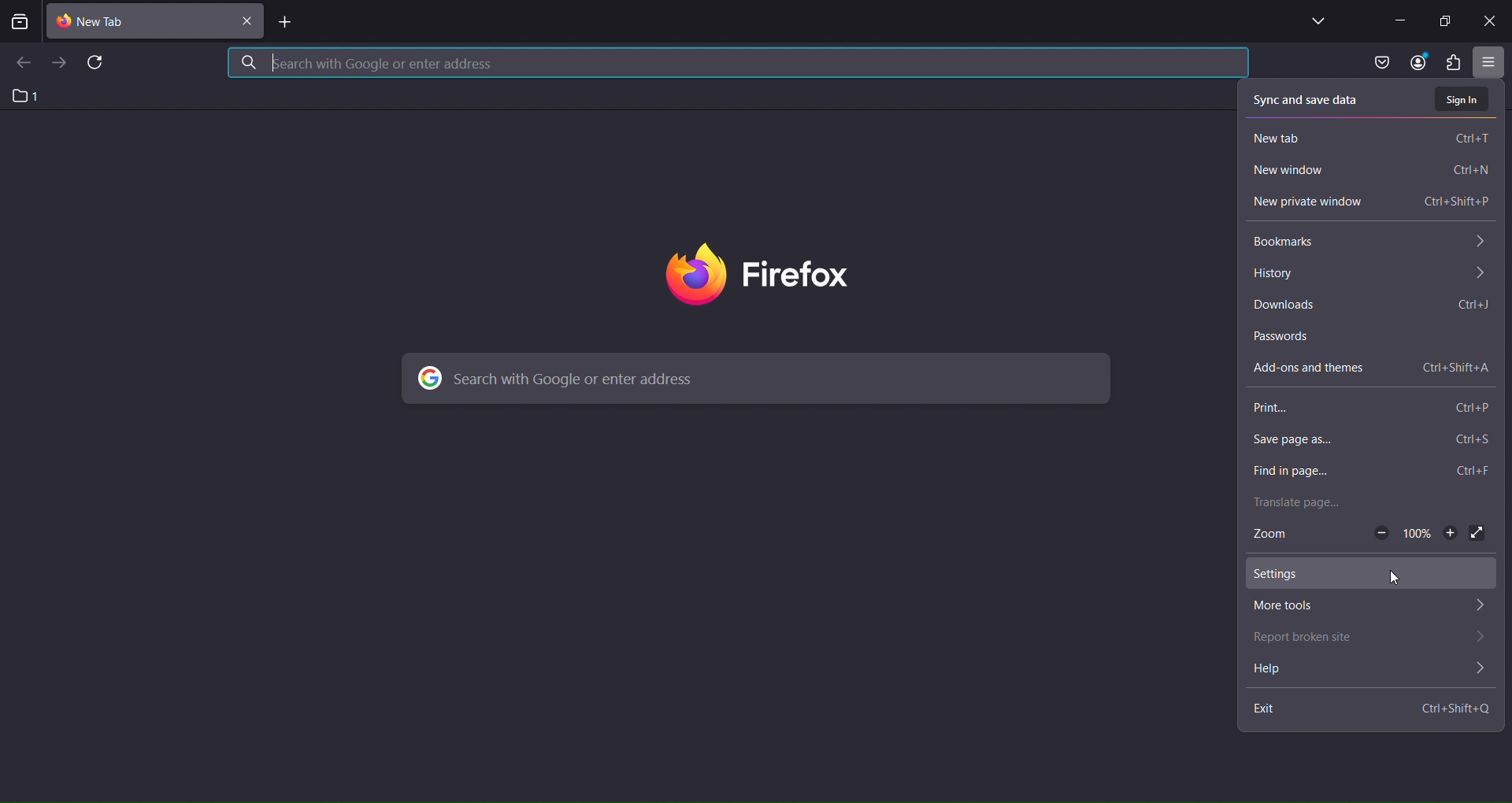 The image size is (1512, 803). I want to click on cursor, so click(1397, 580).